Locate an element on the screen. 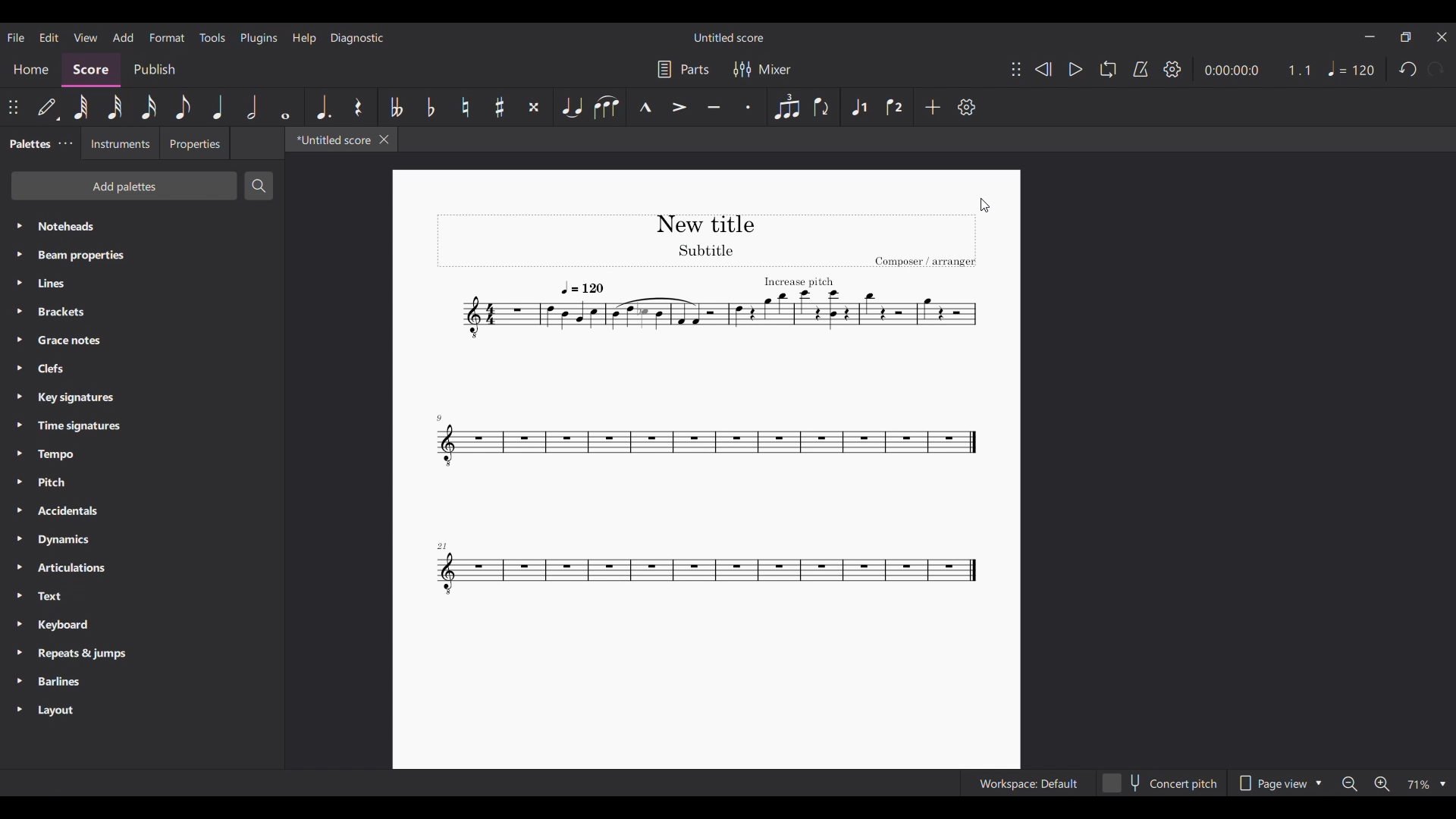 The height and width of the screenshot is (819, 1456). Redo is located at coordinates (1436, 69).